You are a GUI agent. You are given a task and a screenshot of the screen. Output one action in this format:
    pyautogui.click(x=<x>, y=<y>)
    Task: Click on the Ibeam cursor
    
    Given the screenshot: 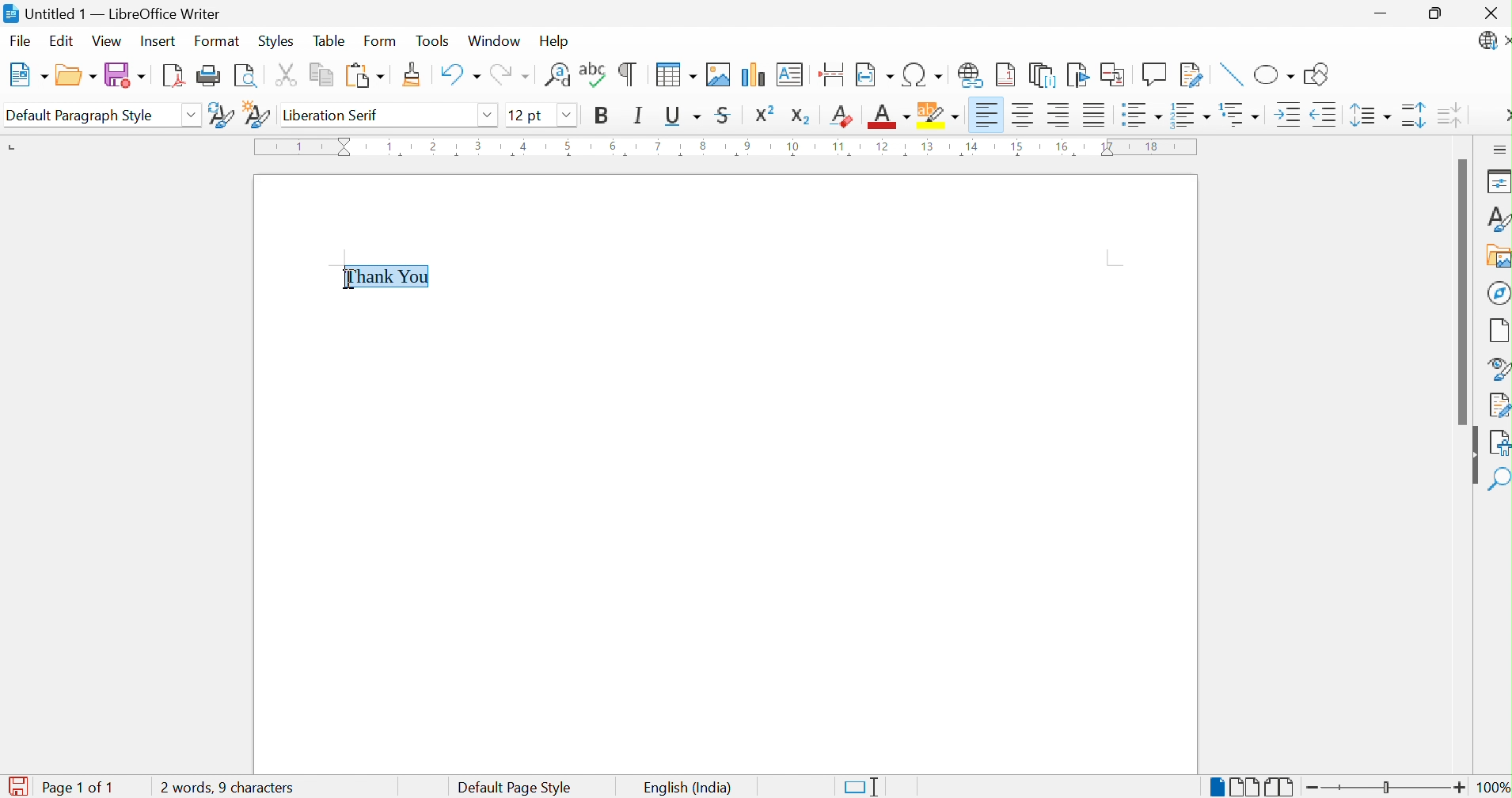 What is the action you would take?
    pyautogui.click(x=352, y=282)
    